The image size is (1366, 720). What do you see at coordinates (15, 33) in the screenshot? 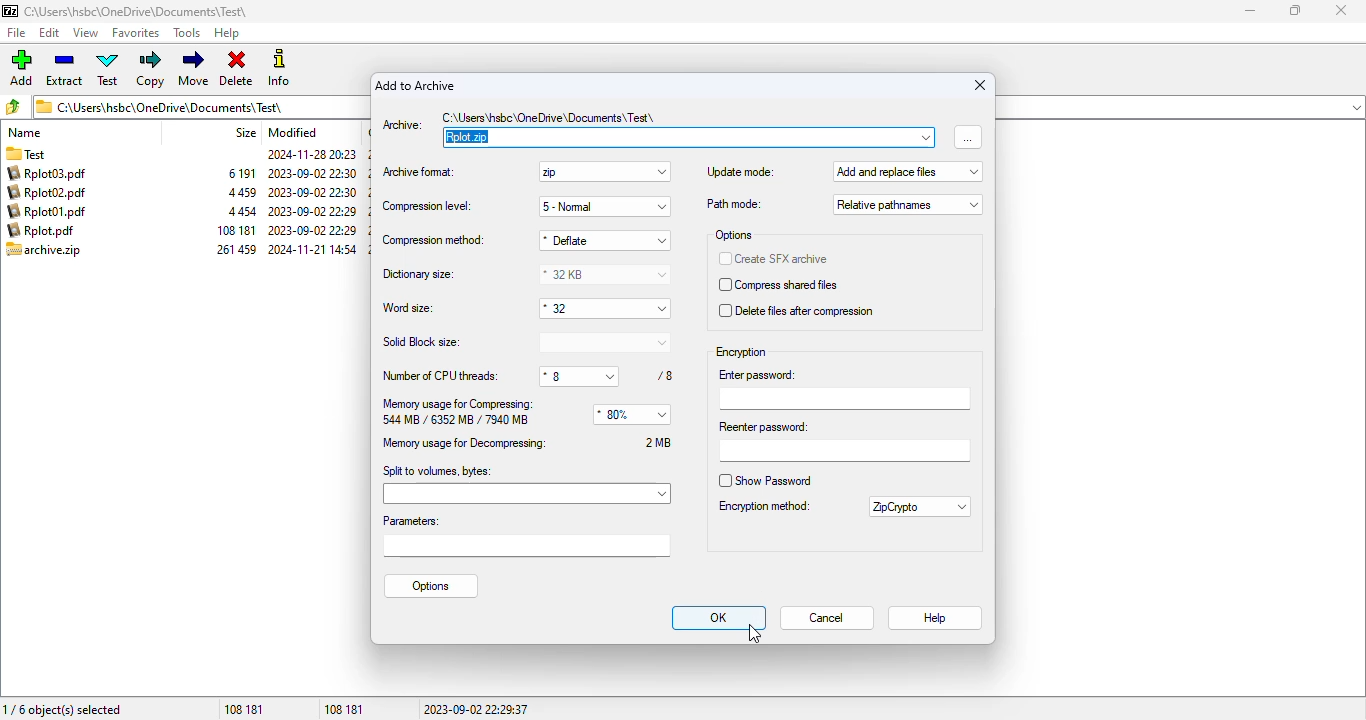
I see `file` at bounding box center [15, 33].